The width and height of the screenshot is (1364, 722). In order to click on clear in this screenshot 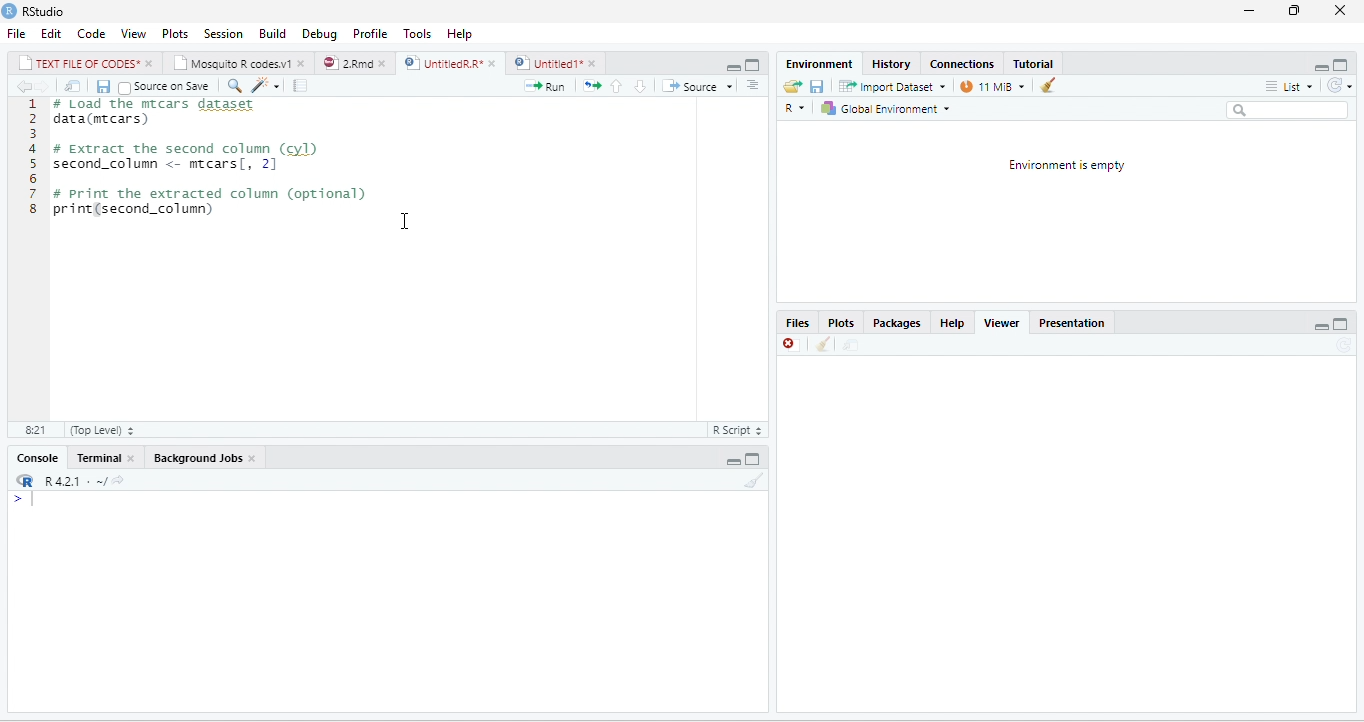, I will do `click(754, 481)`.